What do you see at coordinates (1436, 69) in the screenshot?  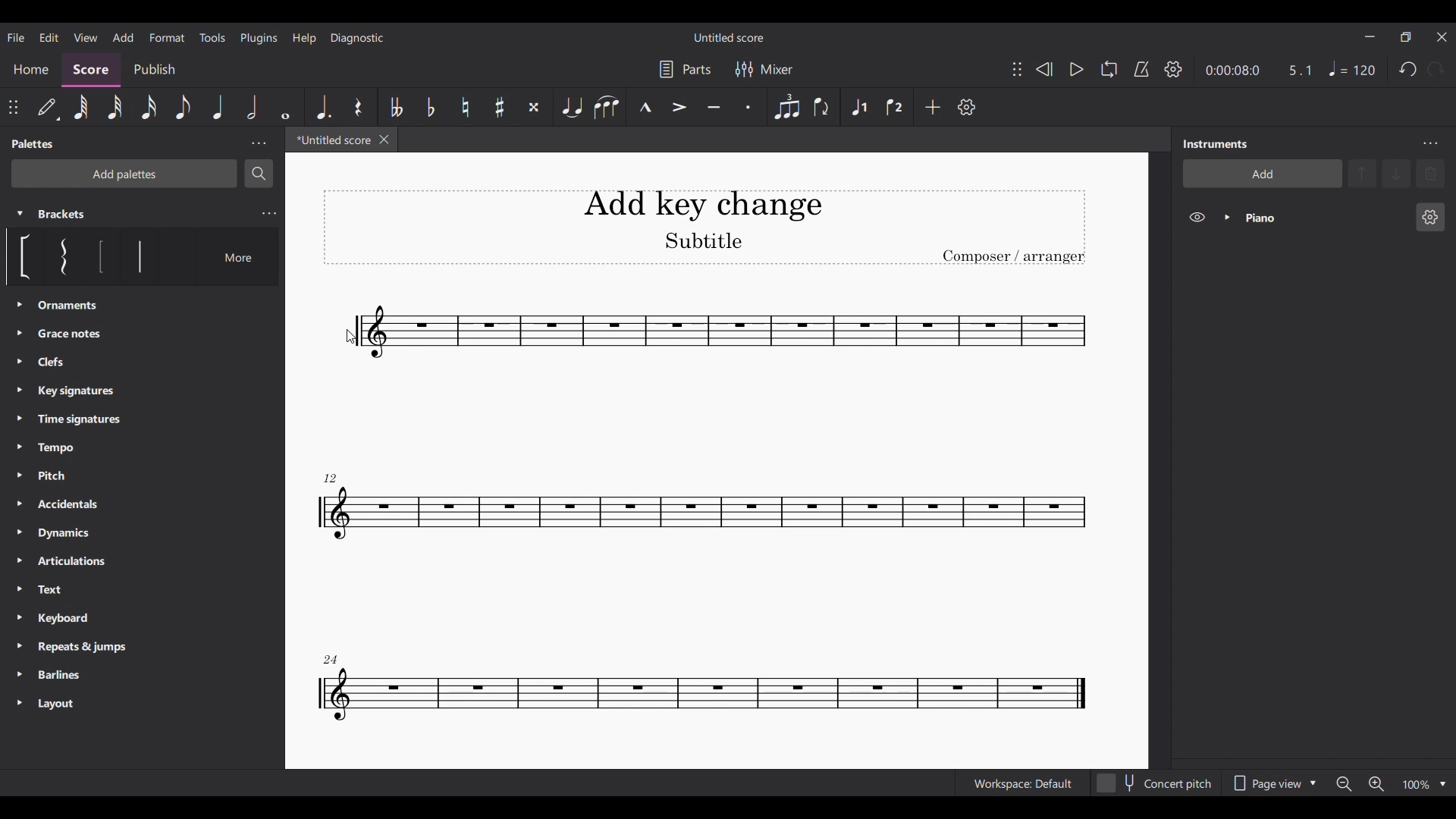 I see `Redo` at bounding box center [1436, 69].